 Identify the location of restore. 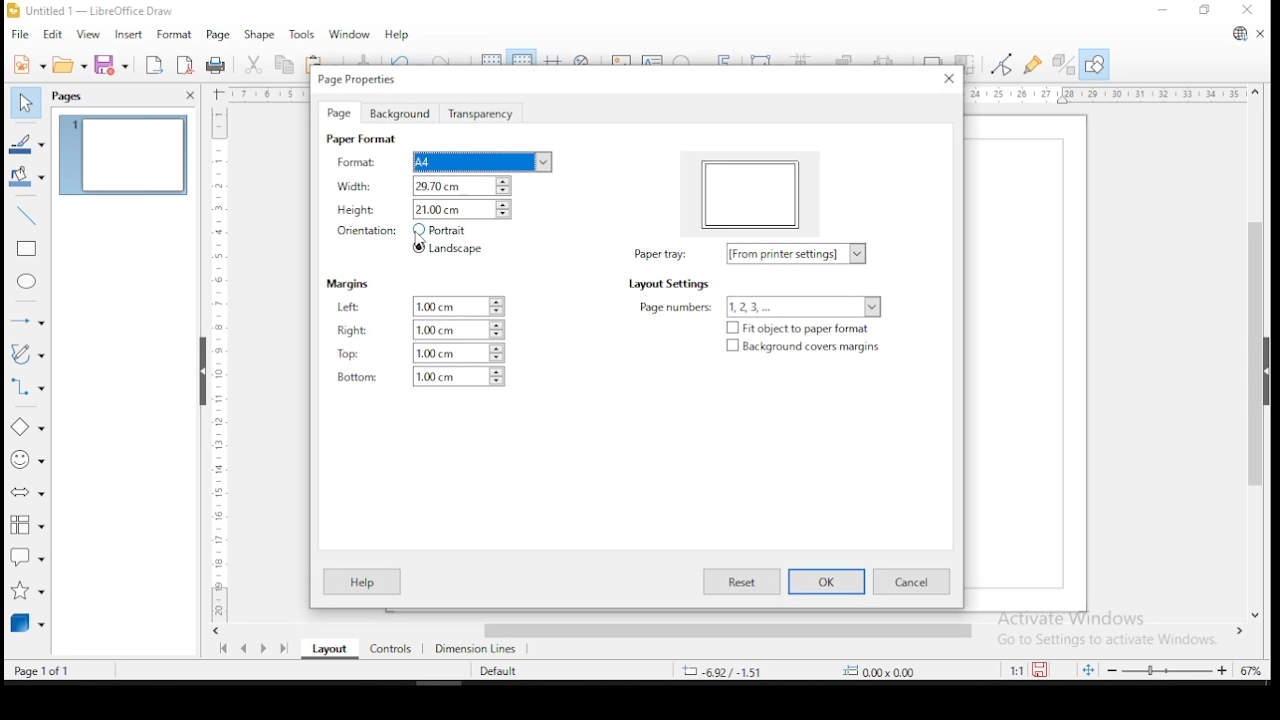
(1202, 11).